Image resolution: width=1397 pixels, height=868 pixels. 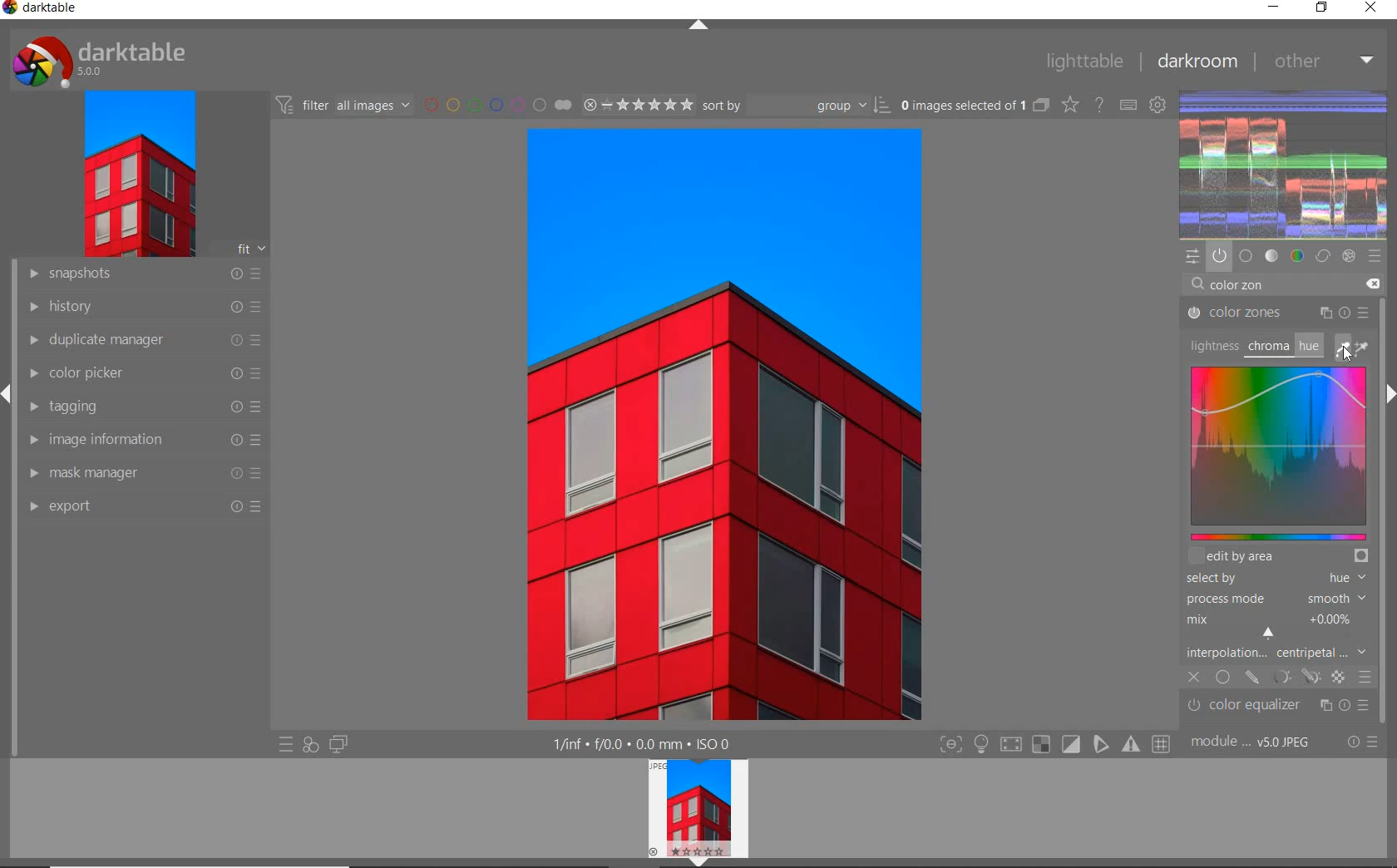 What do you see at coordinates (1362, 743) in the screenshot?
I see `reset or presets & preferences` at bounding box center [1362, 743].